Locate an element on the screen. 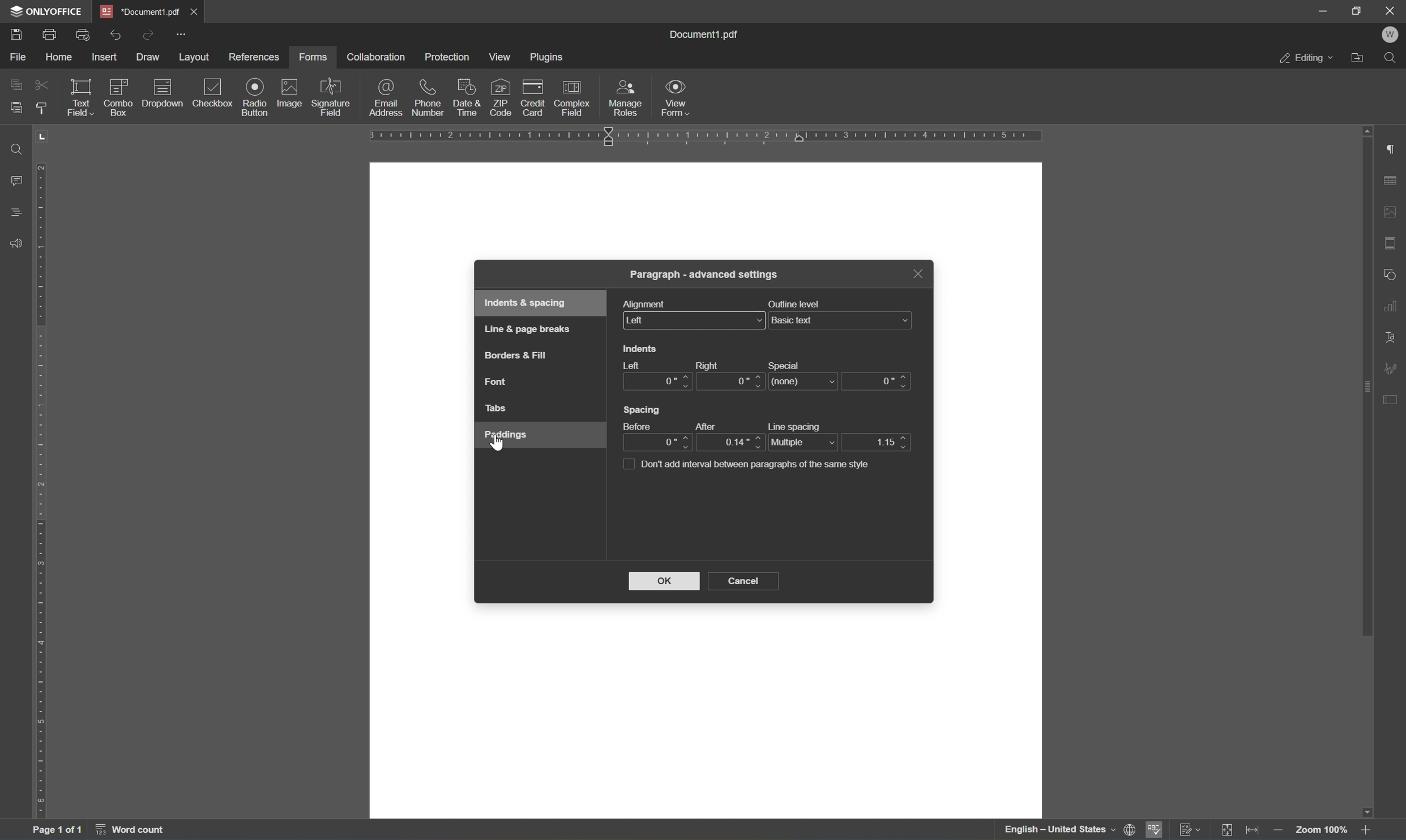 Image resolution: width=1406 pixels, height=840 pixels. ruler is located at coordinates (43, 491).